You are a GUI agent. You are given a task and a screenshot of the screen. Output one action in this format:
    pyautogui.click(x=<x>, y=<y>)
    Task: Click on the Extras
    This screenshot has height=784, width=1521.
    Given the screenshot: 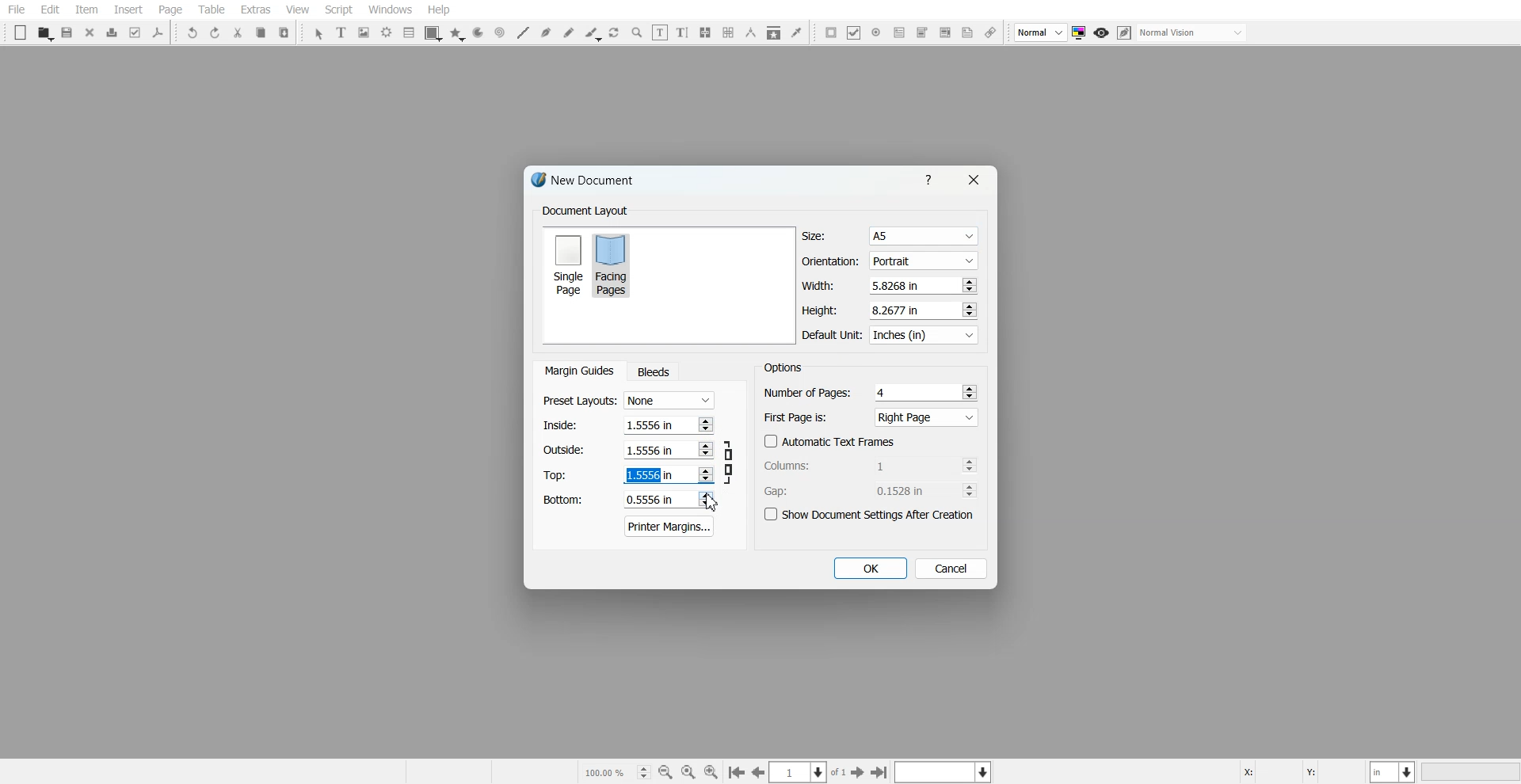 What is the action you would take?
    pyautogui.click(x=255, y=10)
    